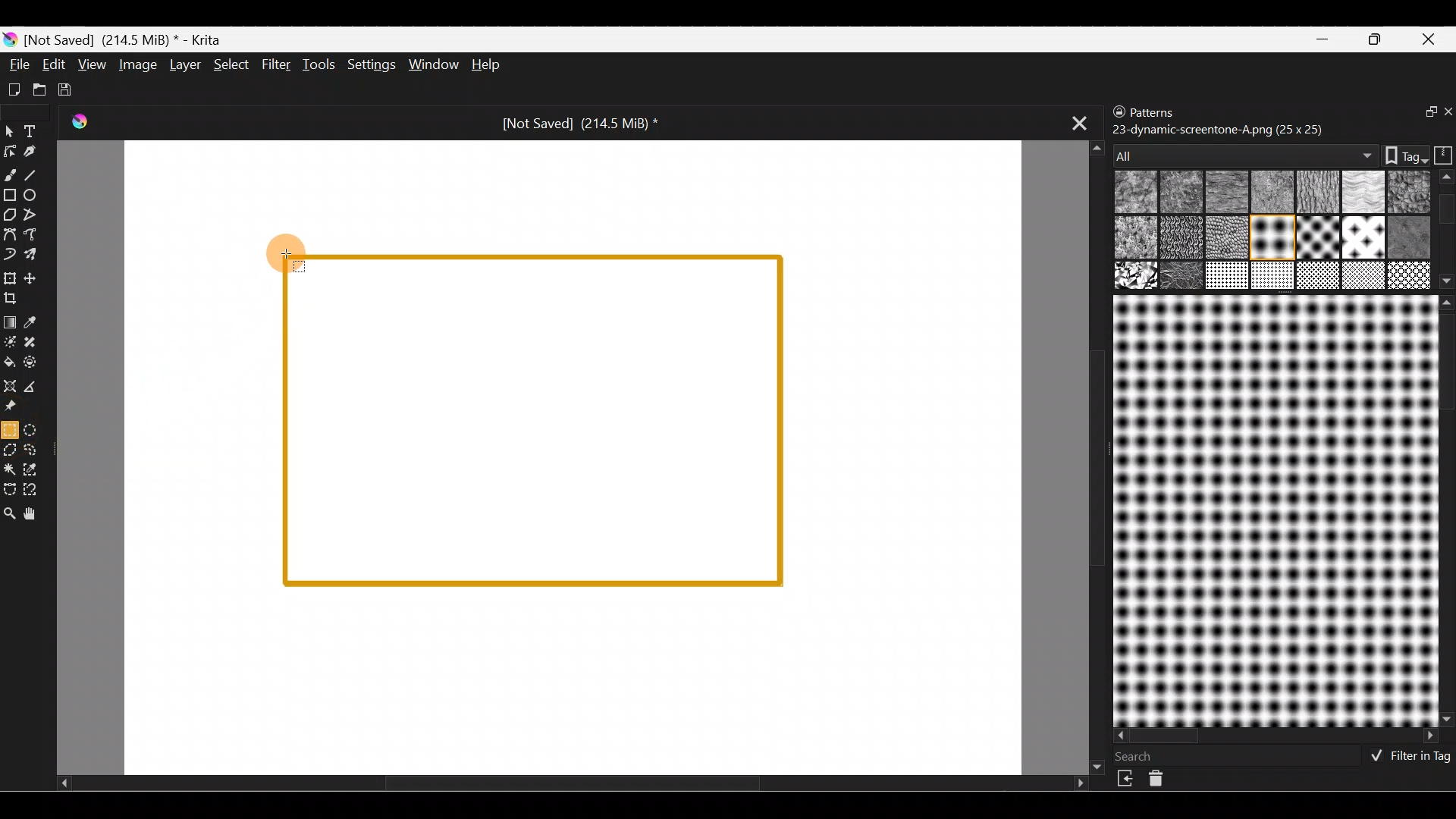  I want to click on 04 paper-c-grain.png, so click(1316, 193).